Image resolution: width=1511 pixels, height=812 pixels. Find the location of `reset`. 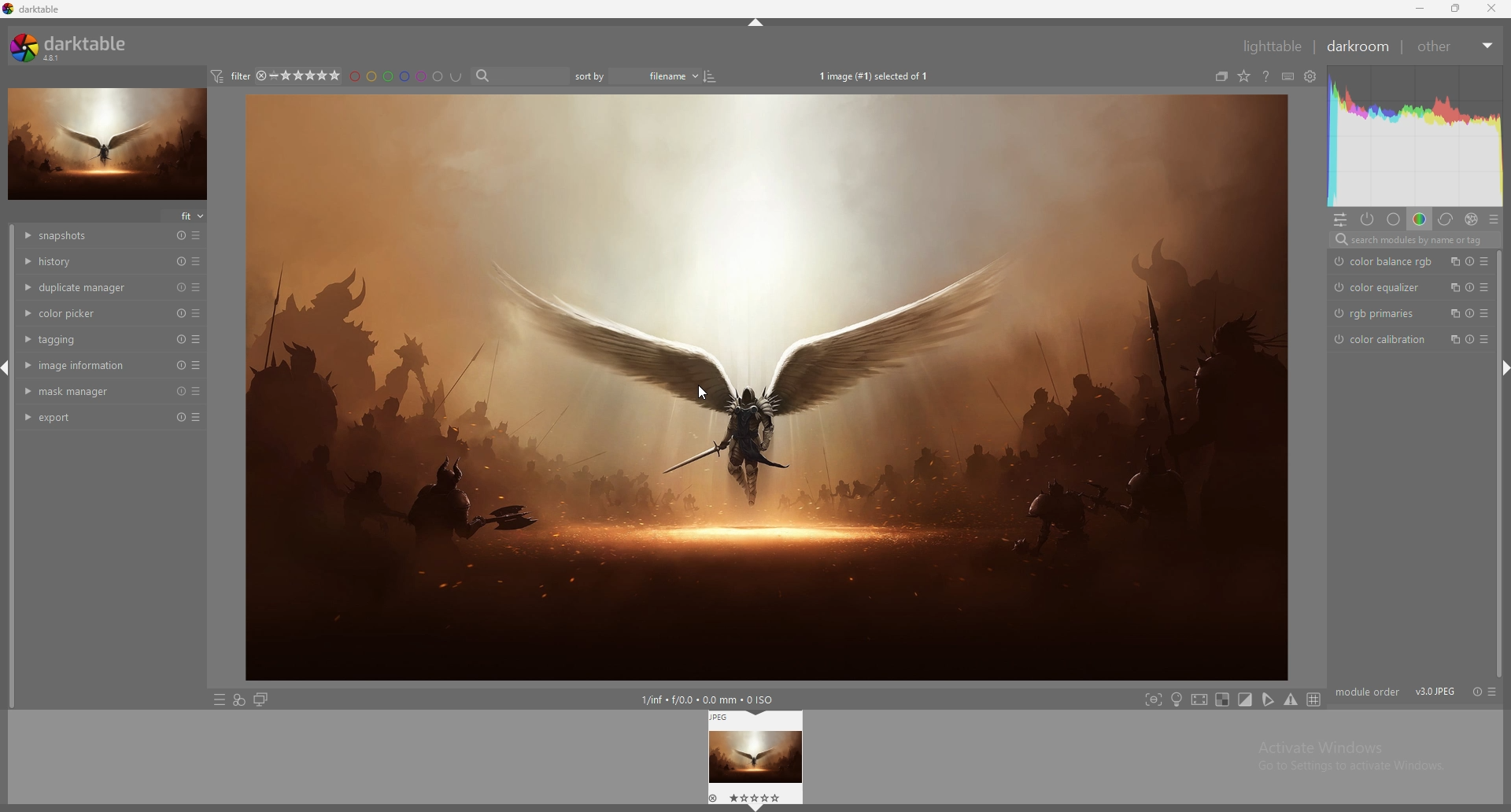

reset is located at coordinates (1470, 287).